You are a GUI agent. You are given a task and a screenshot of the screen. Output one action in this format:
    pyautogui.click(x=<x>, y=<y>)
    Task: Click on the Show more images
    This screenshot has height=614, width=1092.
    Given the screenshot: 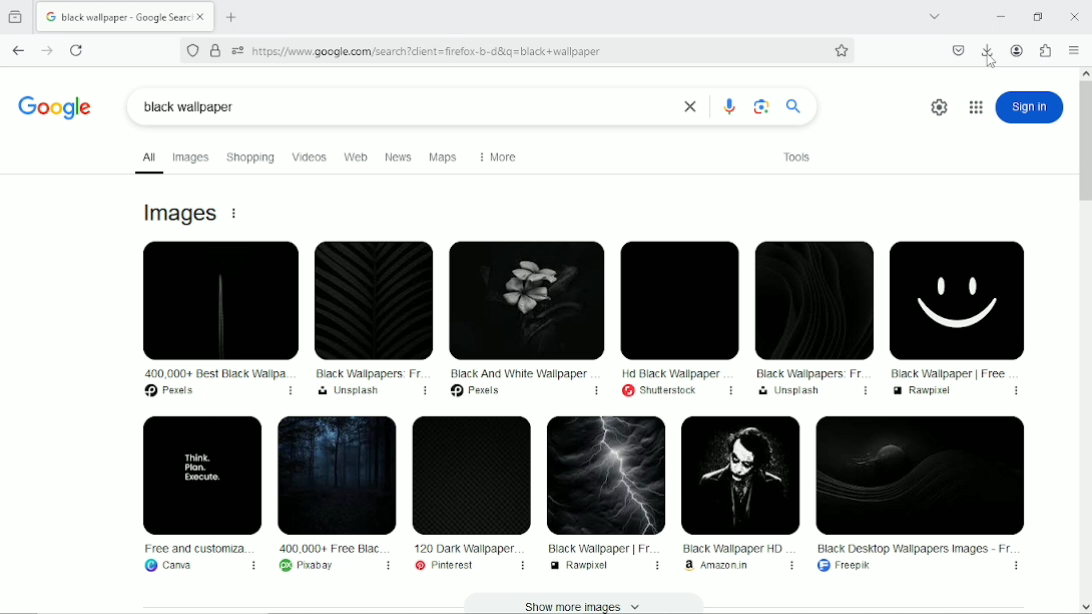 What is the action you would take?
    pyautogui.click(x=593, y=605)
    